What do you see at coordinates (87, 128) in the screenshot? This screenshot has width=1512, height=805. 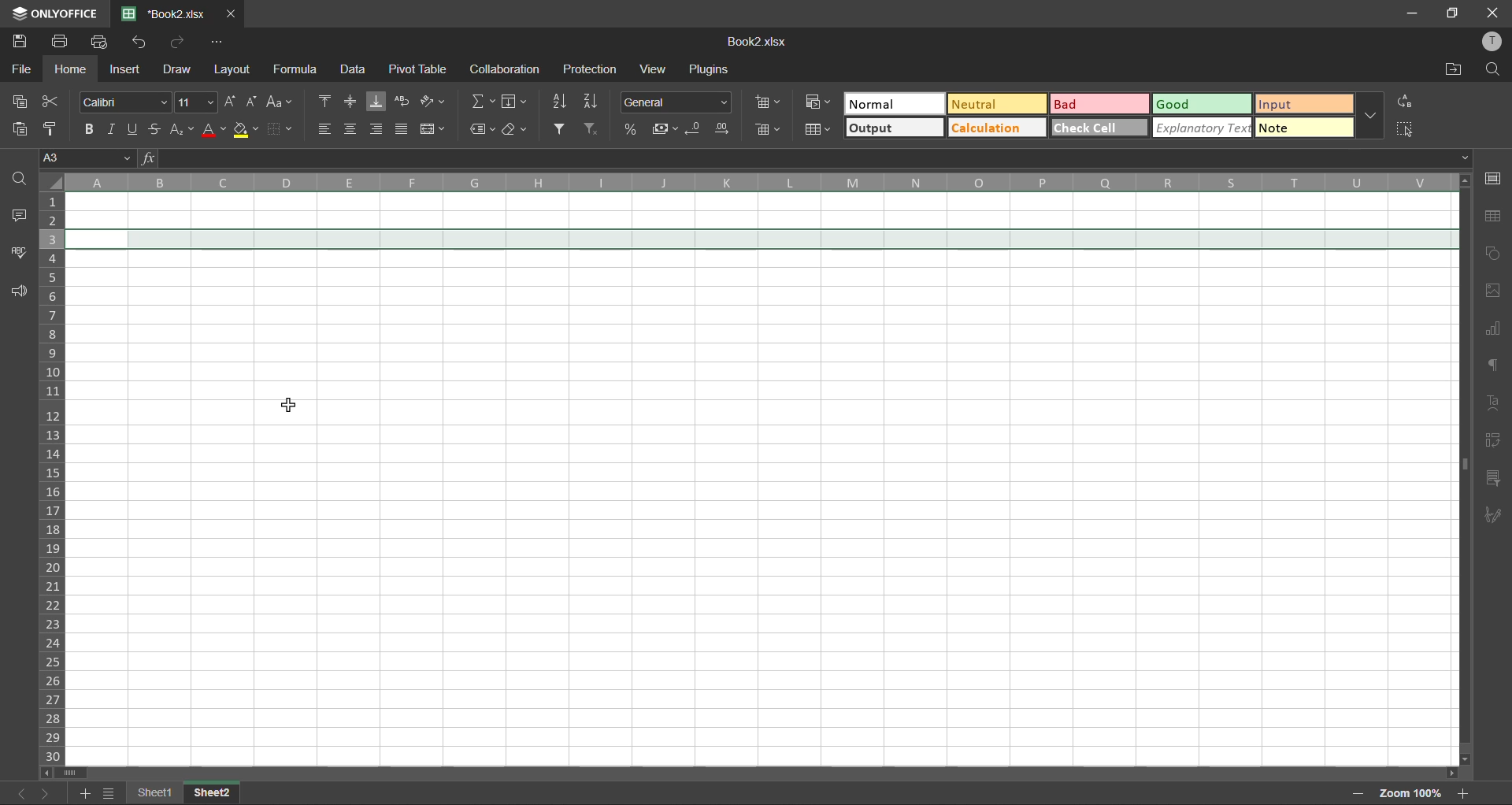 I see `bold` at bounding box center [87, 128].